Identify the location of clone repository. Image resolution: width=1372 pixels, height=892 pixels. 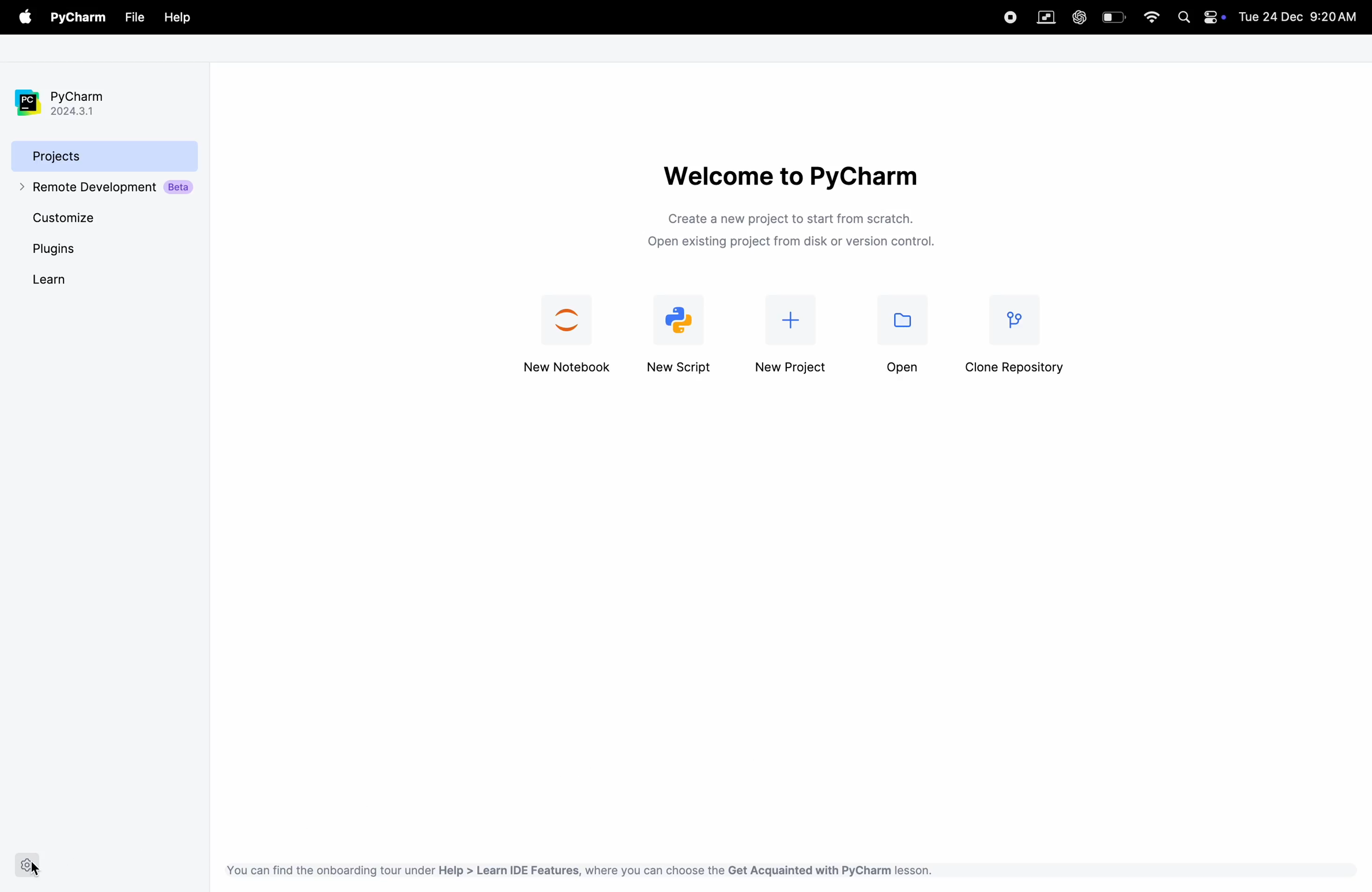
(1019, 339).